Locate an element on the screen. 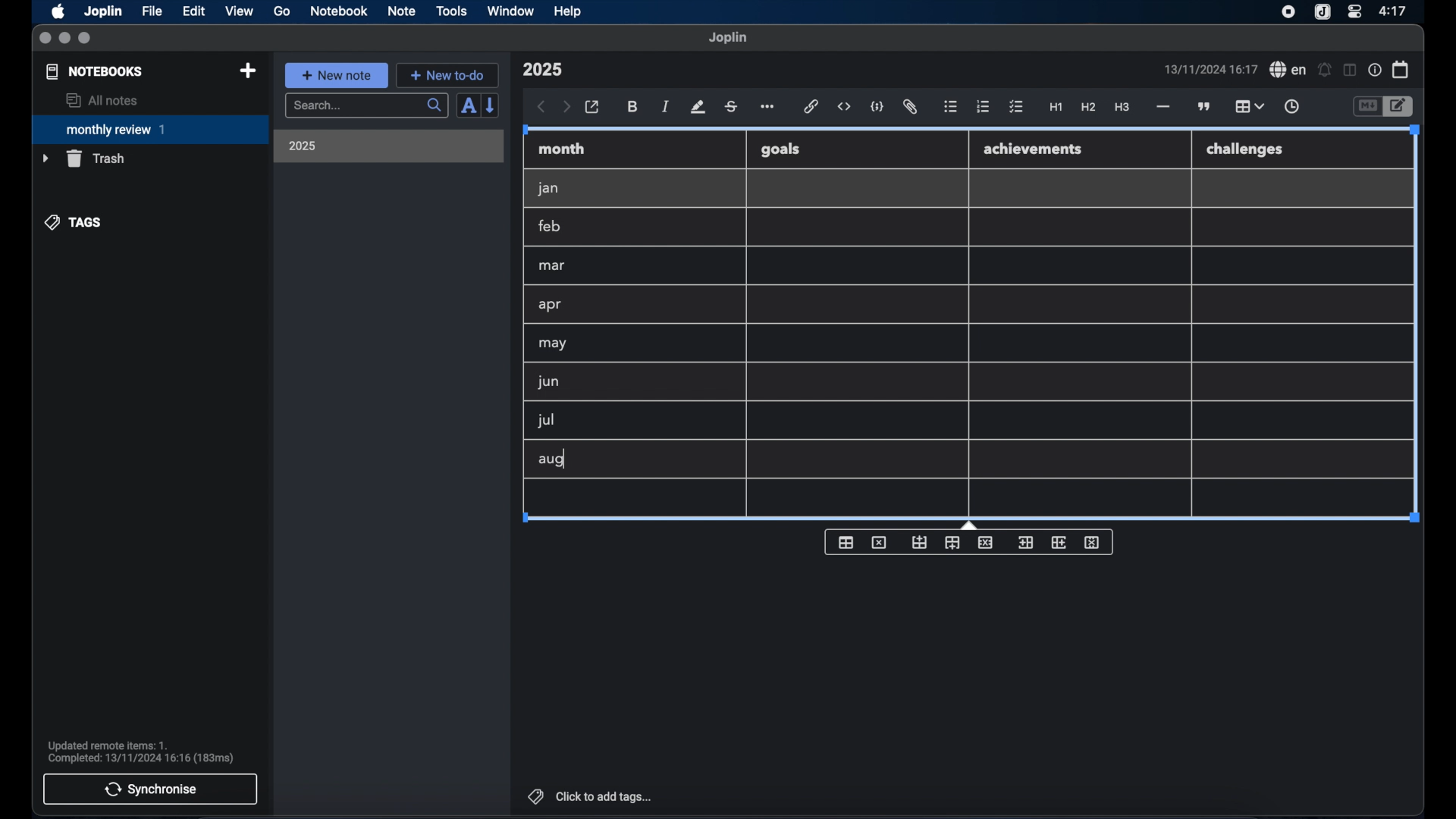 Image resolution: width=1456 pixels, height=819 pixels. check  list is located at coordinates (1016, 108).